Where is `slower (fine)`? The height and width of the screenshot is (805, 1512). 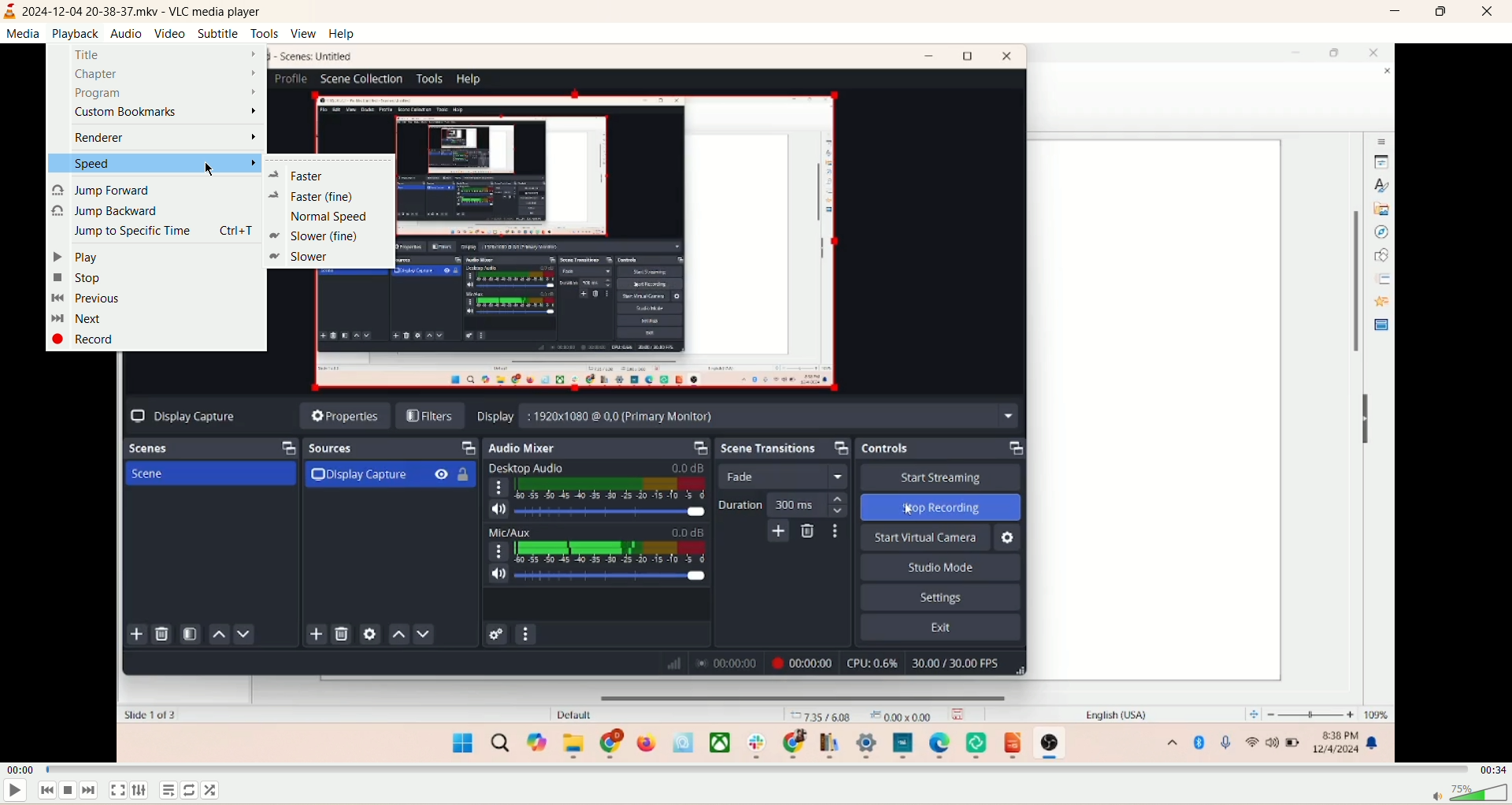 slower (fine) is located at coordinates (319, 235).